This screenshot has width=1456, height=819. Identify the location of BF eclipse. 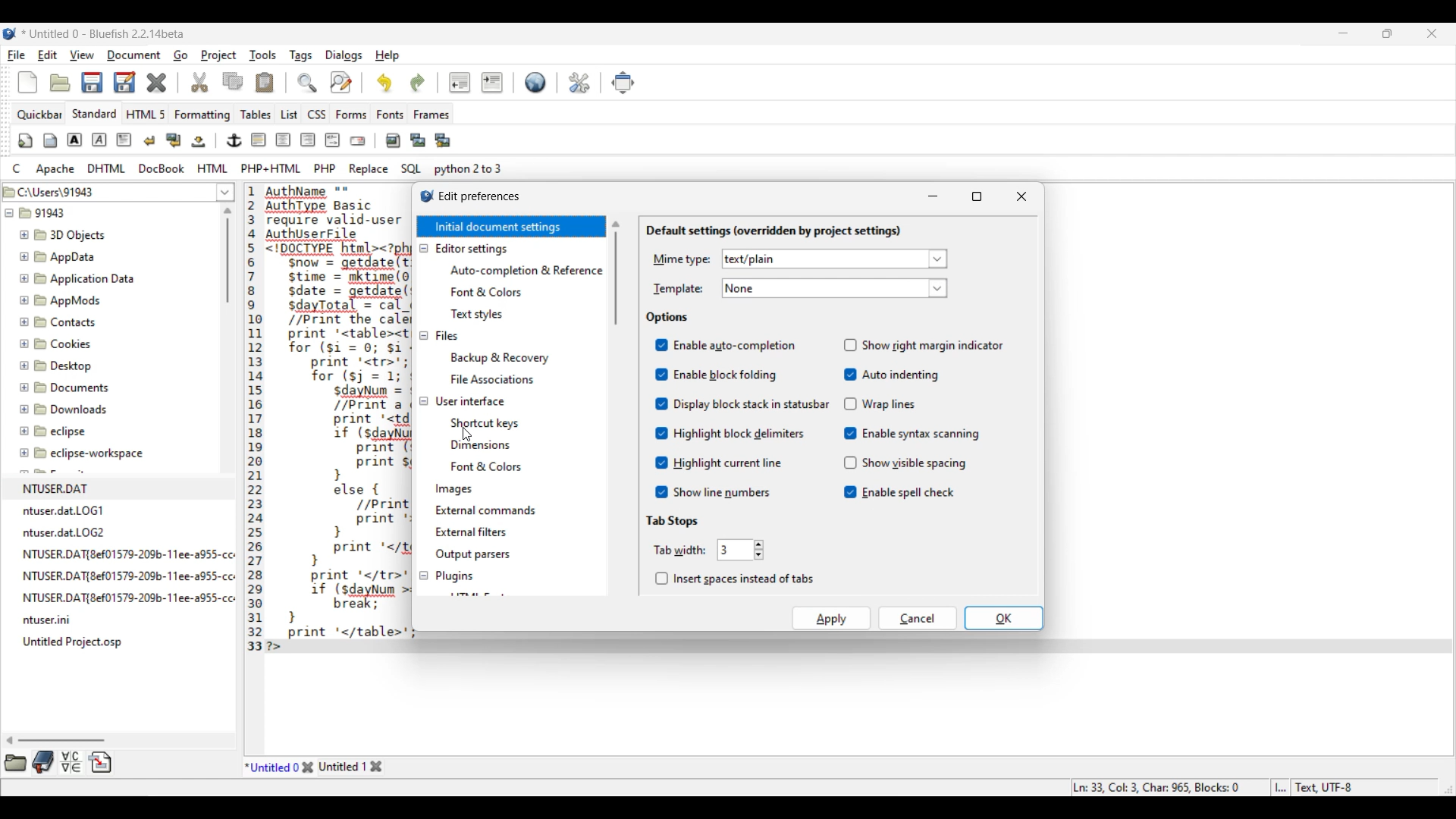
(72, 431).